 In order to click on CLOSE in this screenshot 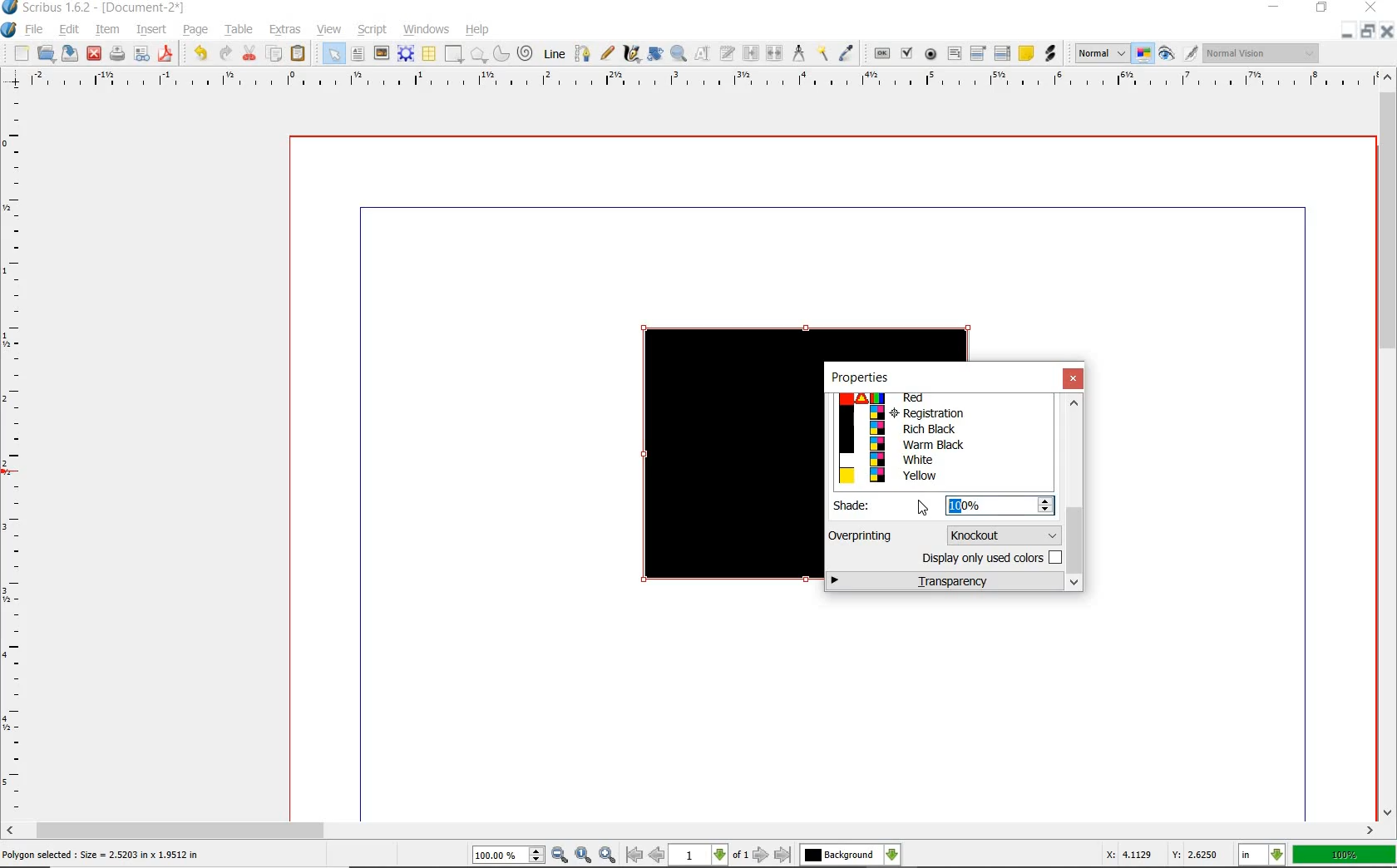, I will do `click(1372, 9)`.